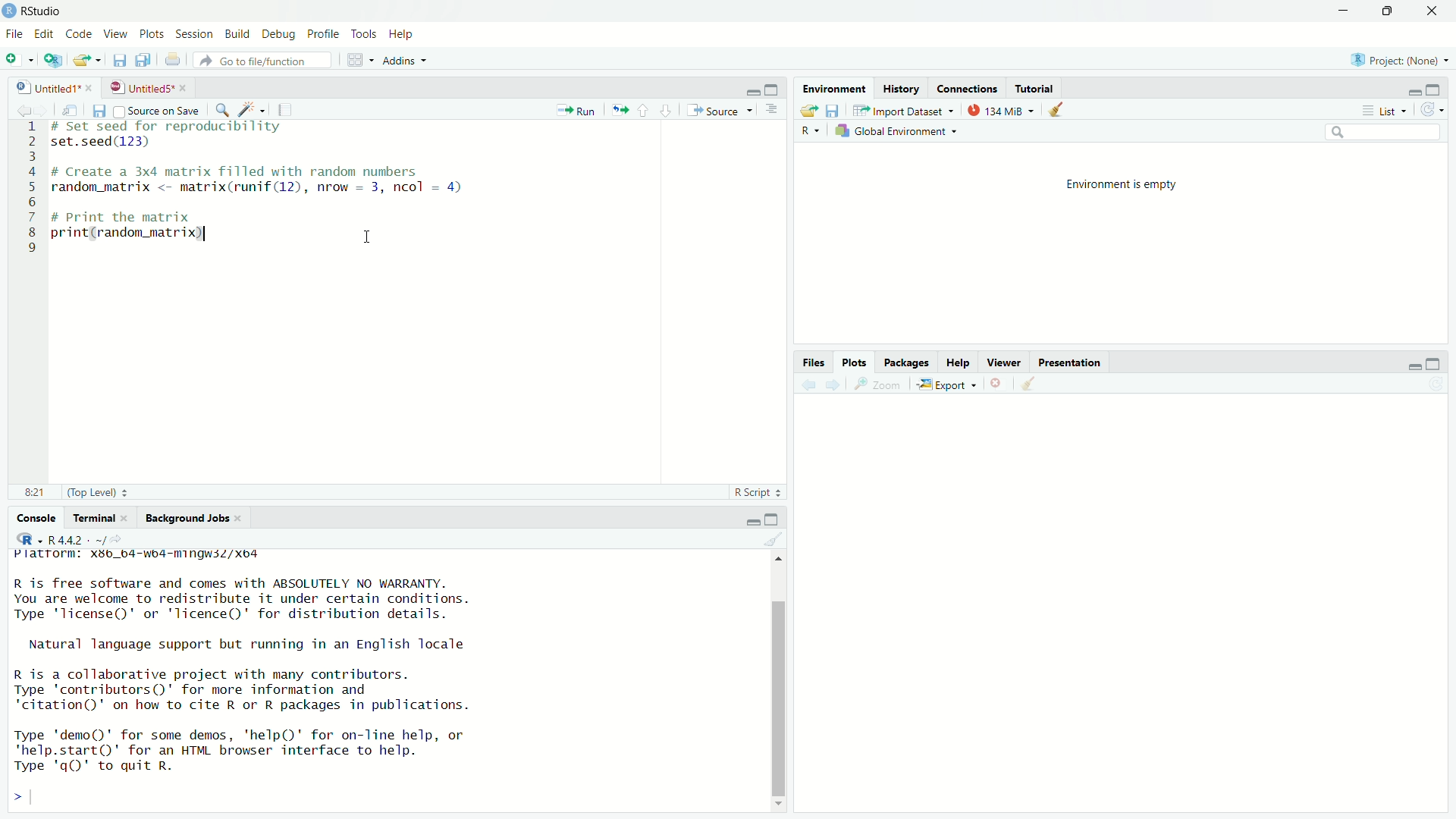 The width and height of the screenshot is (1456, 819). I want to click on export, so click(86, 59).